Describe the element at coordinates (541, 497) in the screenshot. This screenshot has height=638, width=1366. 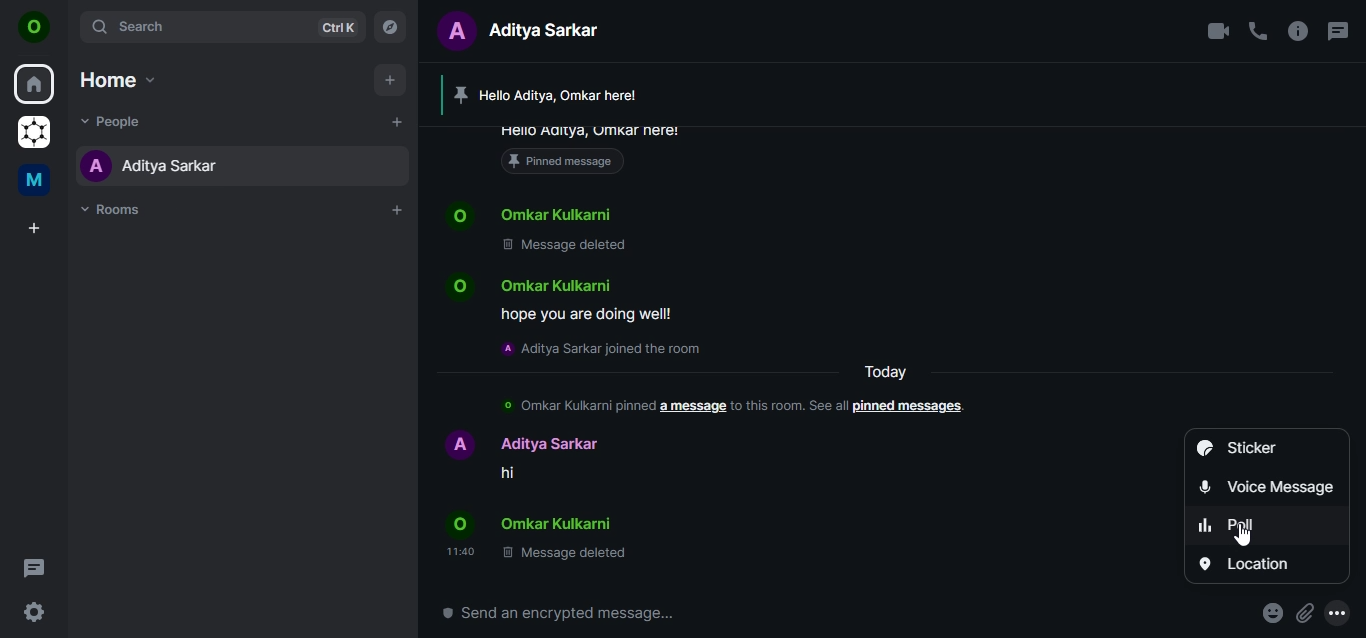
I see `Name hi Name © Message deleted` at that location.